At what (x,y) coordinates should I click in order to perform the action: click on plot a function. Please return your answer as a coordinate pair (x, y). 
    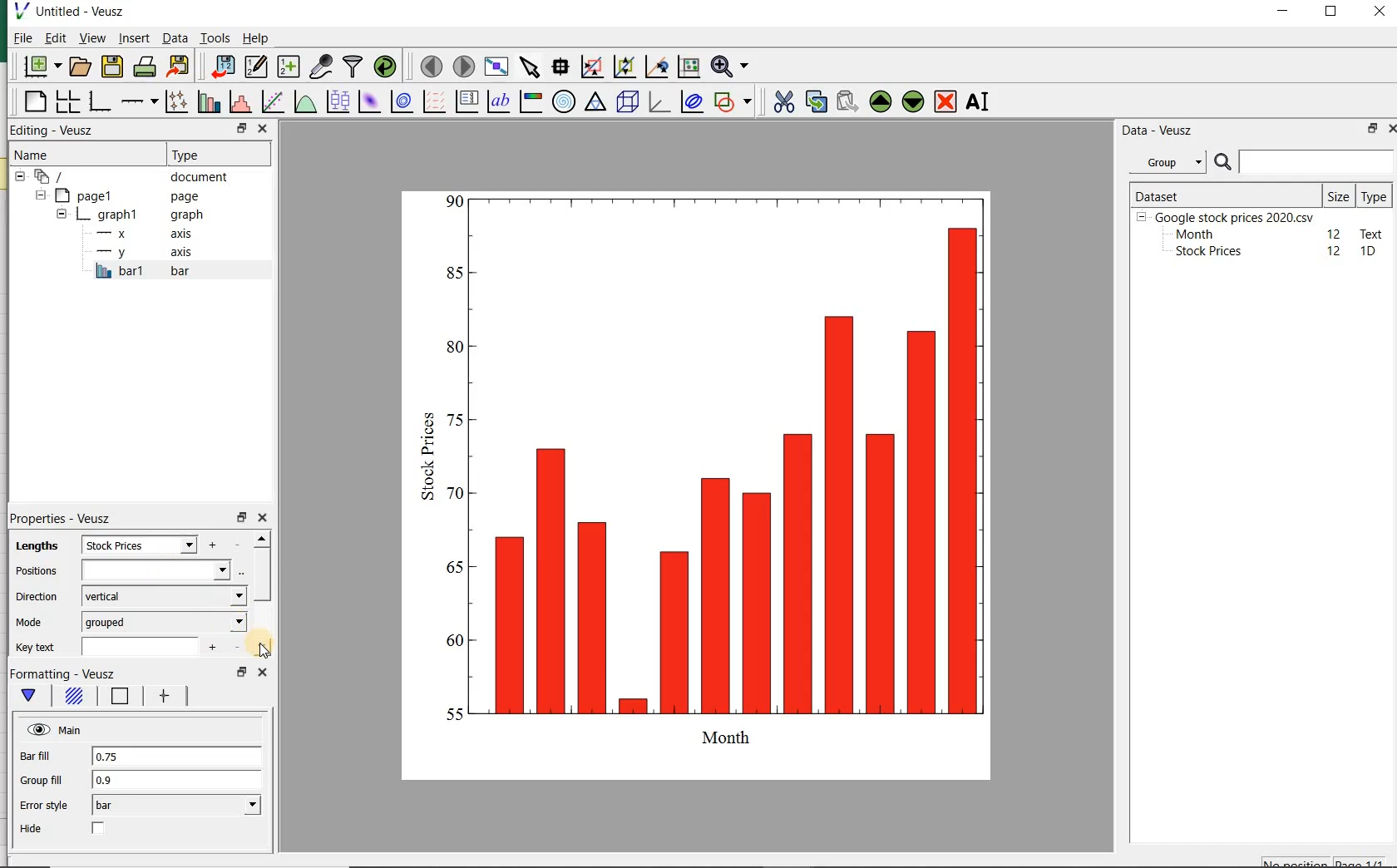
    Looking at the image, I should click on (304, 103).